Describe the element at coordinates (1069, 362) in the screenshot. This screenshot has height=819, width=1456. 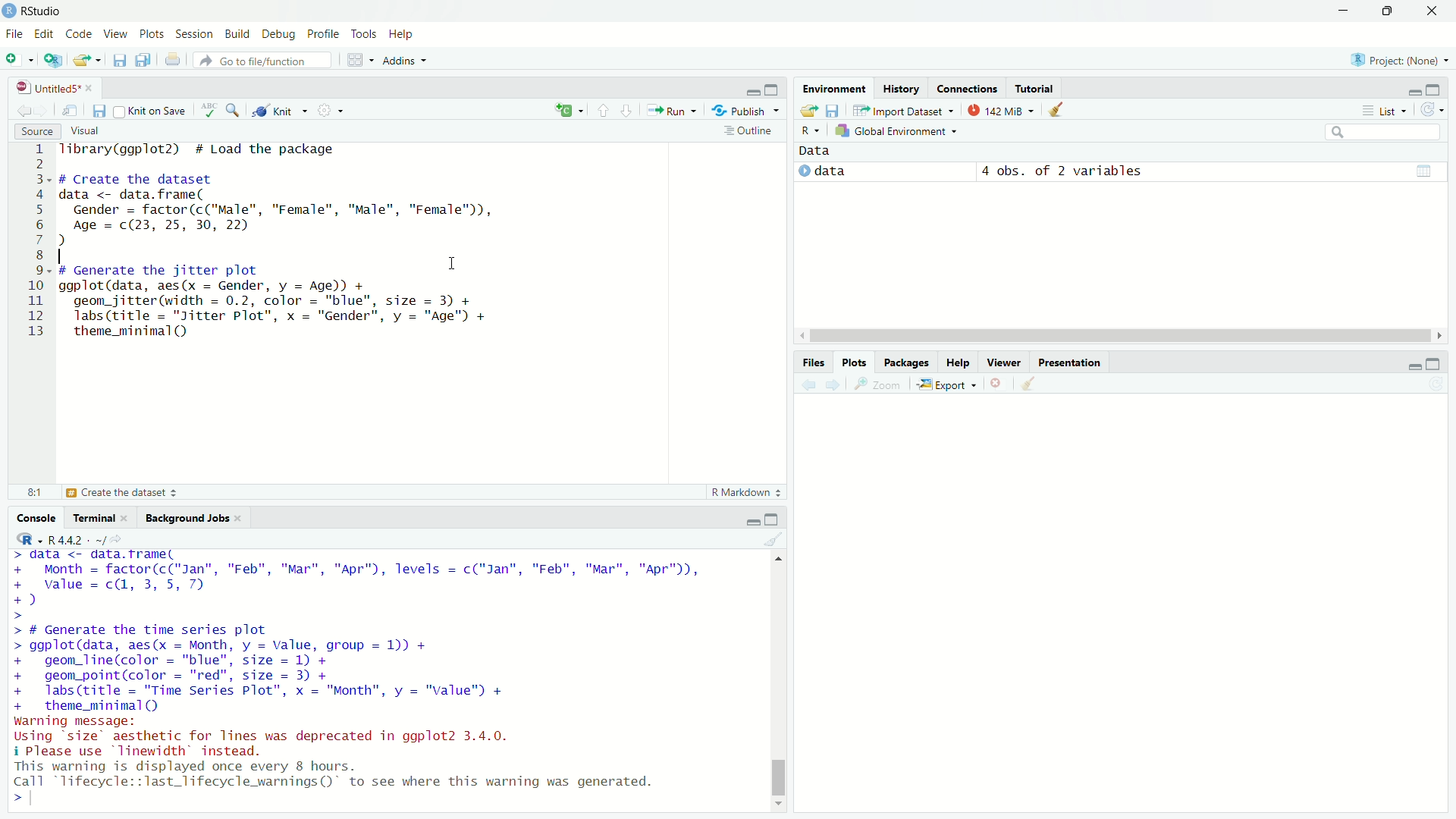
I see `presentation` at that location.